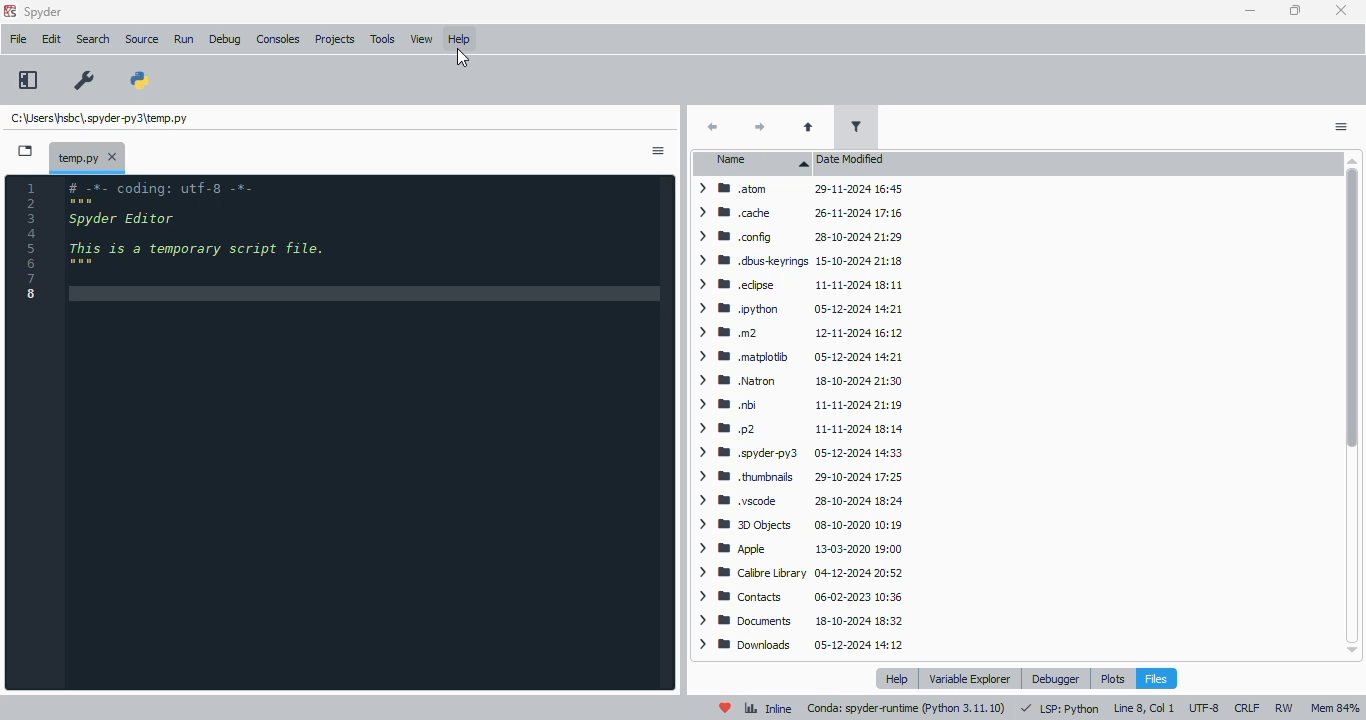  I want to click on > mp2 11-11-2024 18:14, so click(797, 428).